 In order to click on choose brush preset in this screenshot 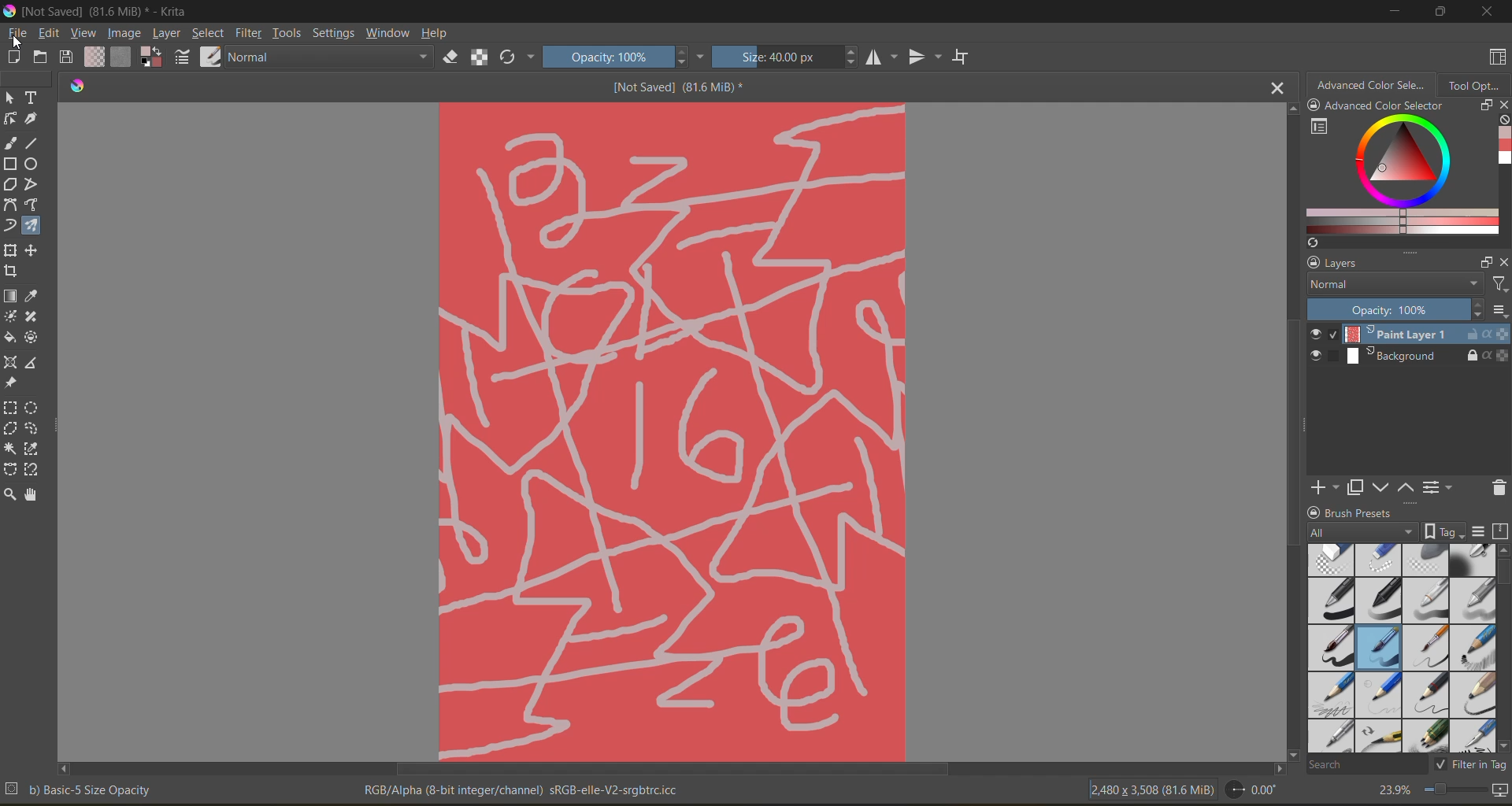, I will do `click(209, 56)`.